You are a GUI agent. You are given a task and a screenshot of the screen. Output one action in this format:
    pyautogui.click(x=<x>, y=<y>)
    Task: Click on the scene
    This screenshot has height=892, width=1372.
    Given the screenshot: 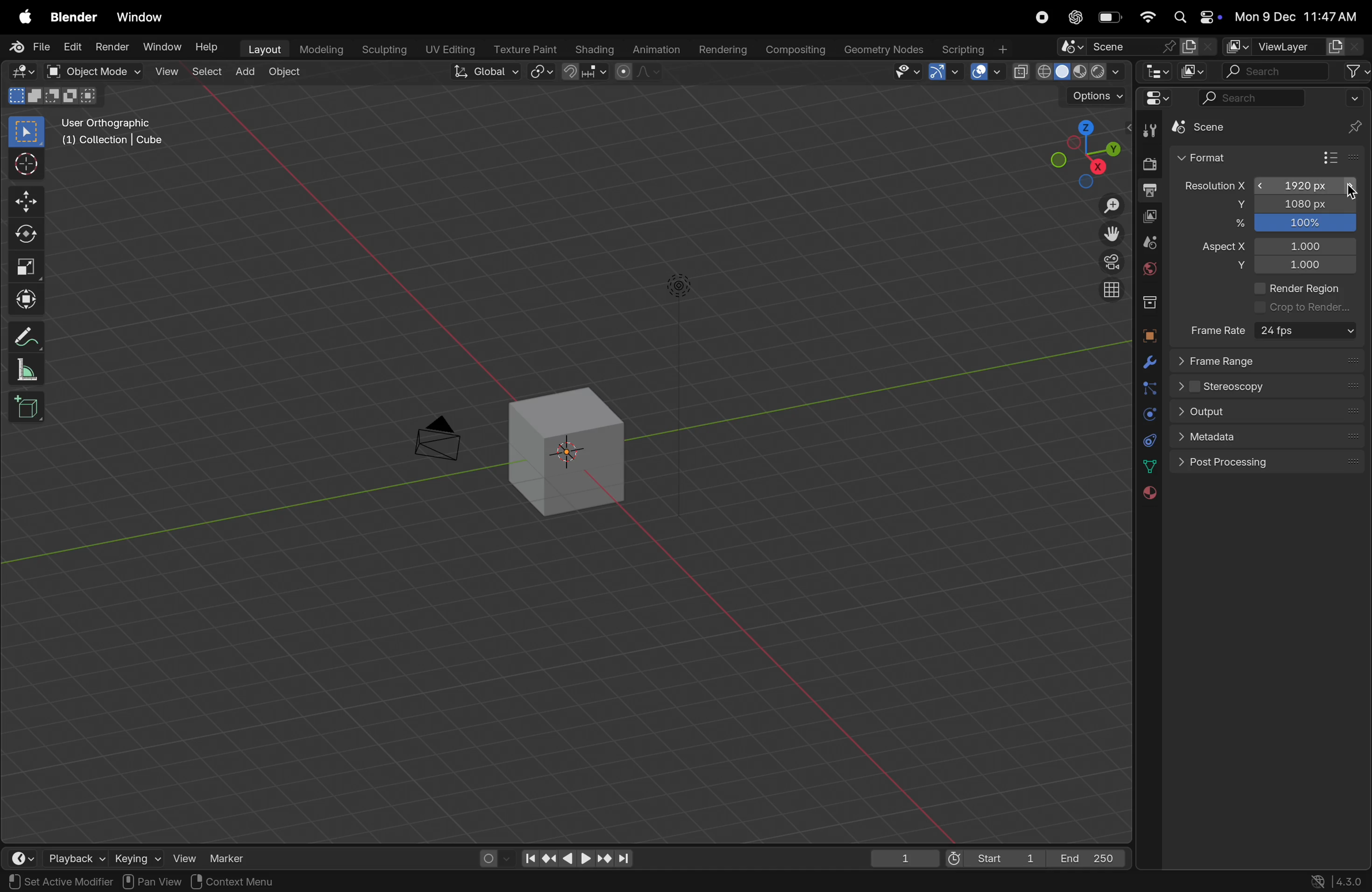 What is the action you would take?
    pyautogui.click(x=1150, y=241)
    